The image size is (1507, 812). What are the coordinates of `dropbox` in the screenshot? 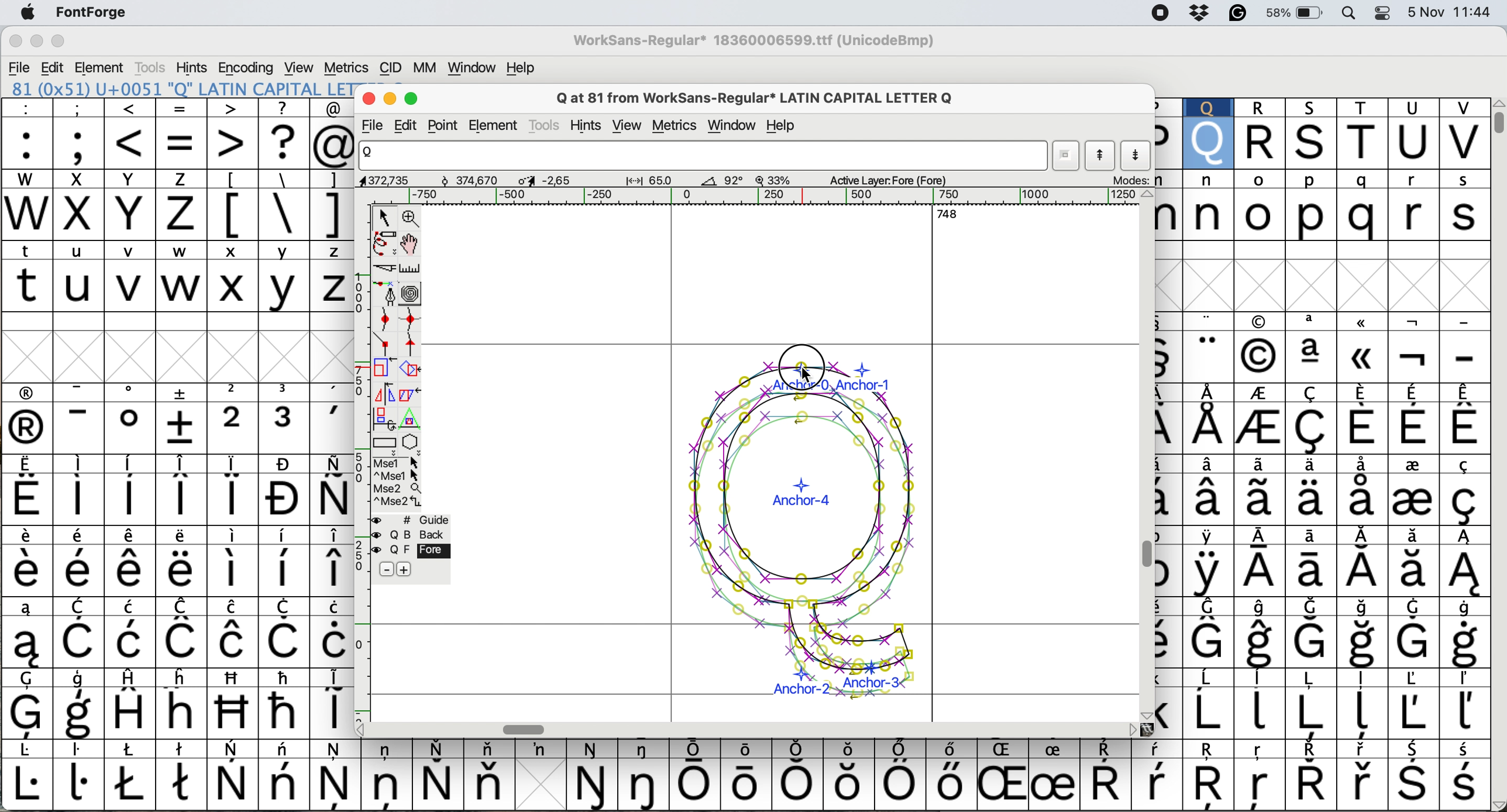 It's located at (1201, 15).